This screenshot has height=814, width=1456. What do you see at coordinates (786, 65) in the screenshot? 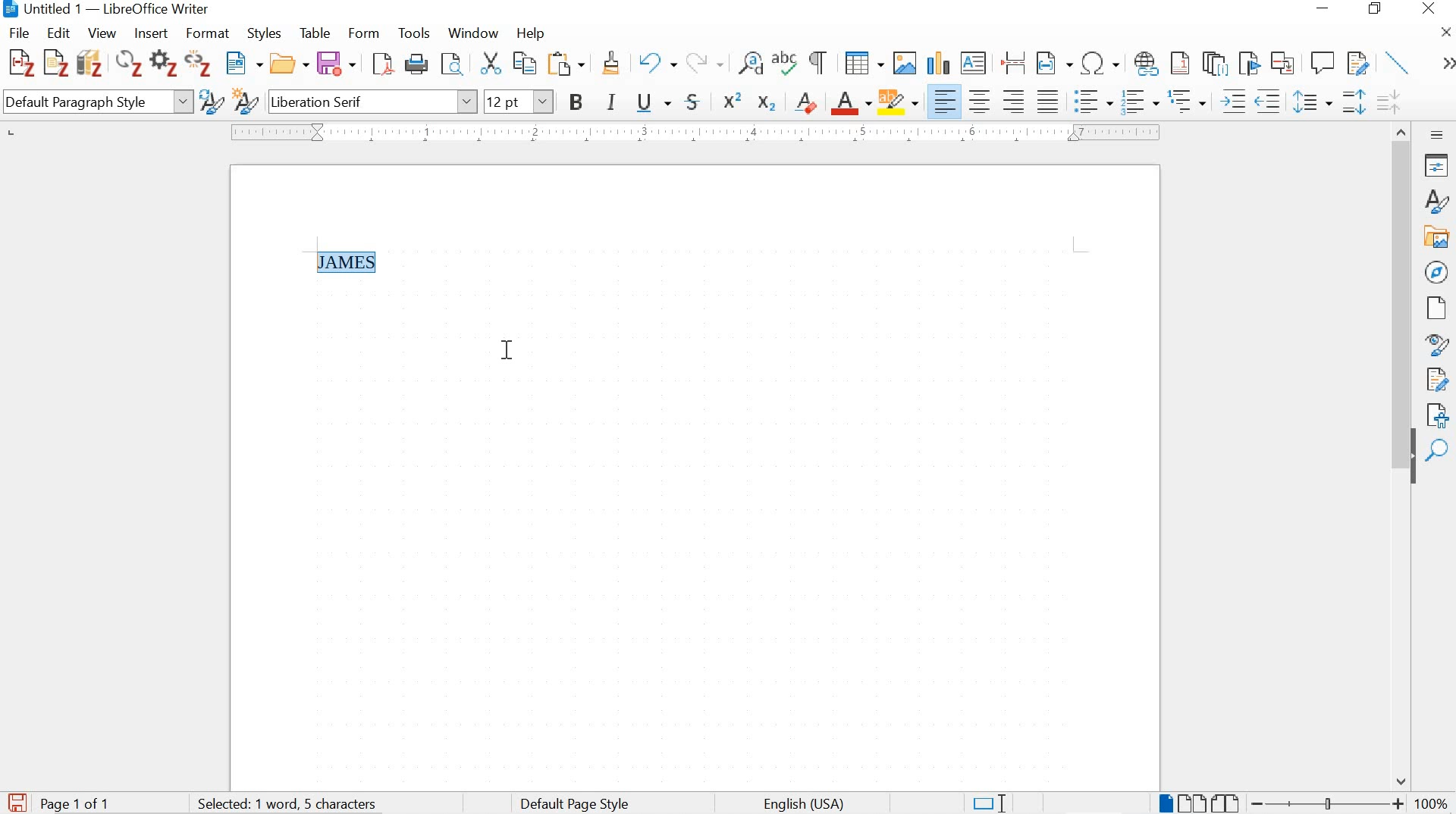
I see `check spelling` at bounding box center [786, 65].